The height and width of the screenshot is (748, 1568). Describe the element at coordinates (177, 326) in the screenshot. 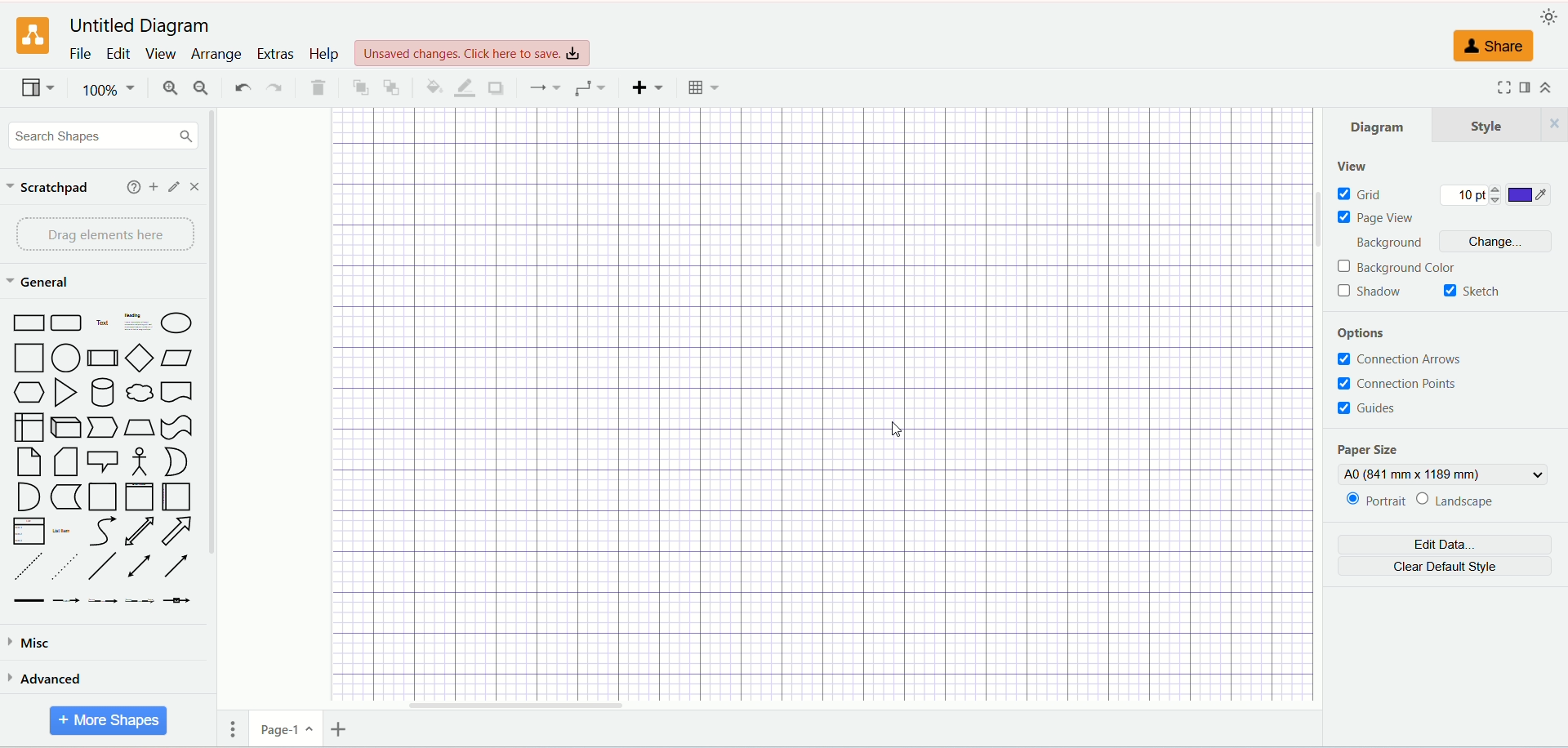

I see `Ellipse` at that location.